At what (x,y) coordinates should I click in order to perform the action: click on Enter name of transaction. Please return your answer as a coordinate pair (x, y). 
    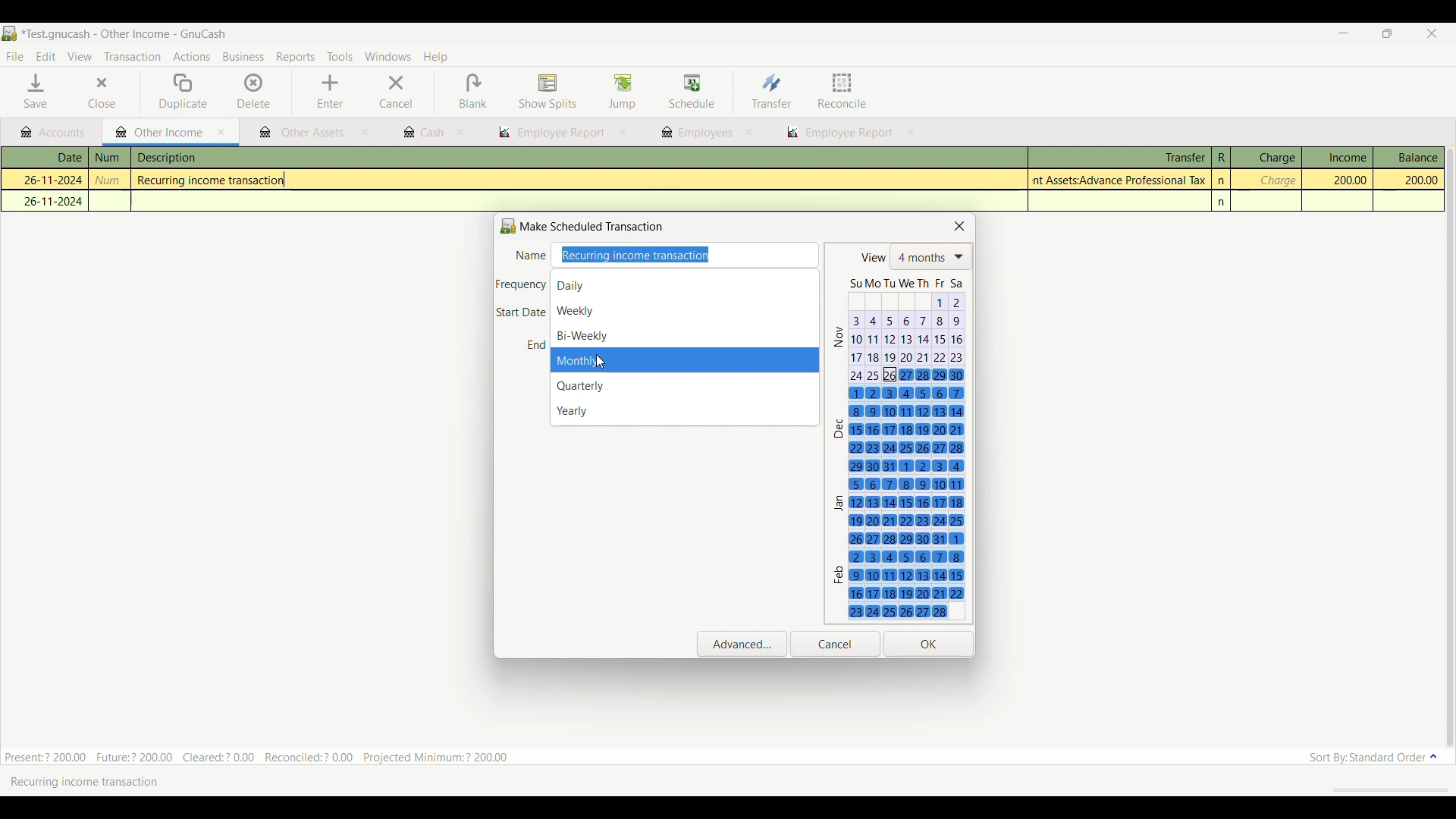
    Looking at the image, I should click on (685, 256).